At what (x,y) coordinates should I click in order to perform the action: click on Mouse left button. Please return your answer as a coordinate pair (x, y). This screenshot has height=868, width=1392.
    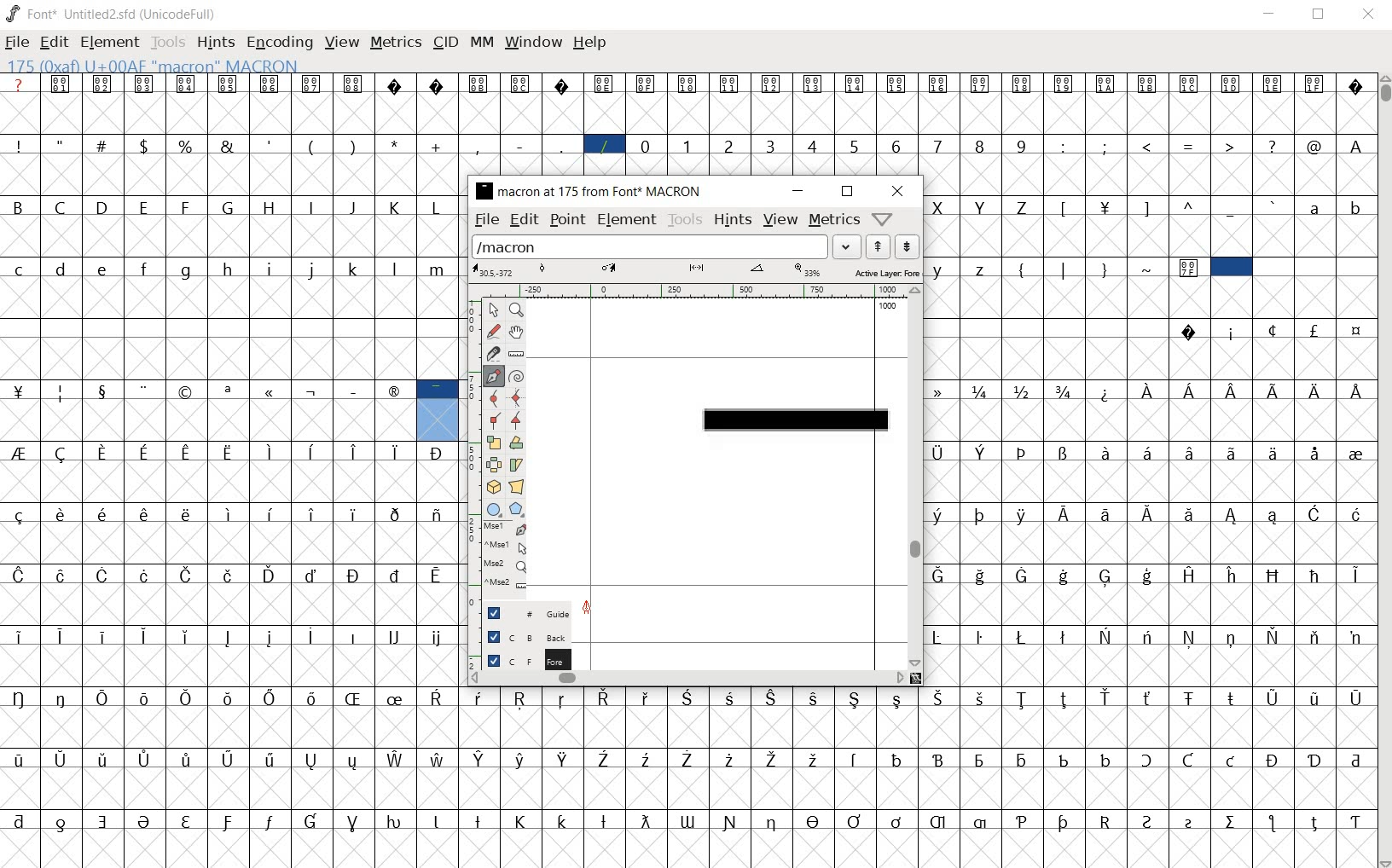
    Looking at the image, I should click on (508, 529).